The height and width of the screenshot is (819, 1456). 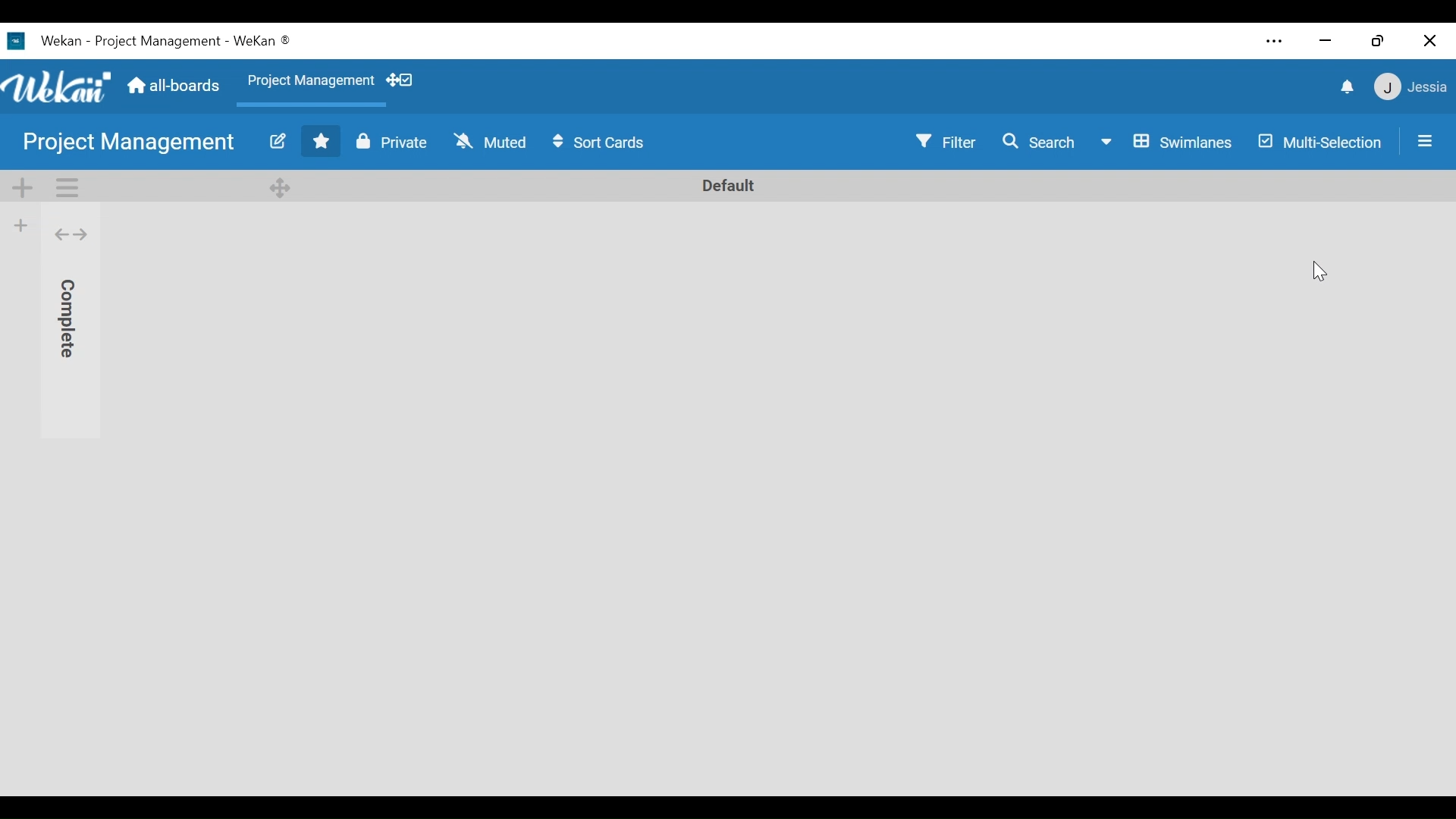 What do you see at coordinates (1377, 39) in the screenshot?
I see `Restore` at bounding box center [1377, 39].